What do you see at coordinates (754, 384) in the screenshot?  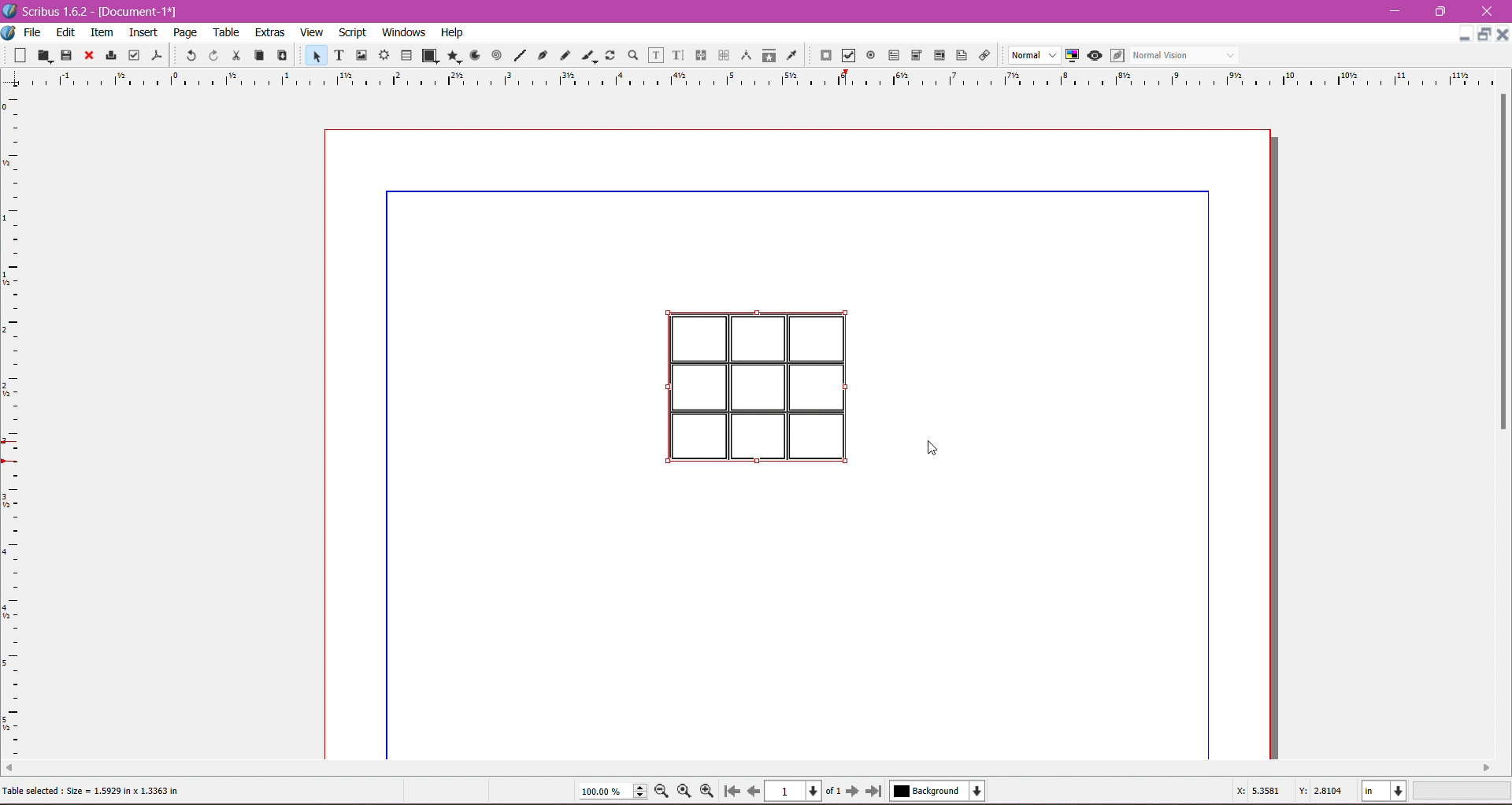 I see `3 X 3 Table` at bounding box center [754, 384].